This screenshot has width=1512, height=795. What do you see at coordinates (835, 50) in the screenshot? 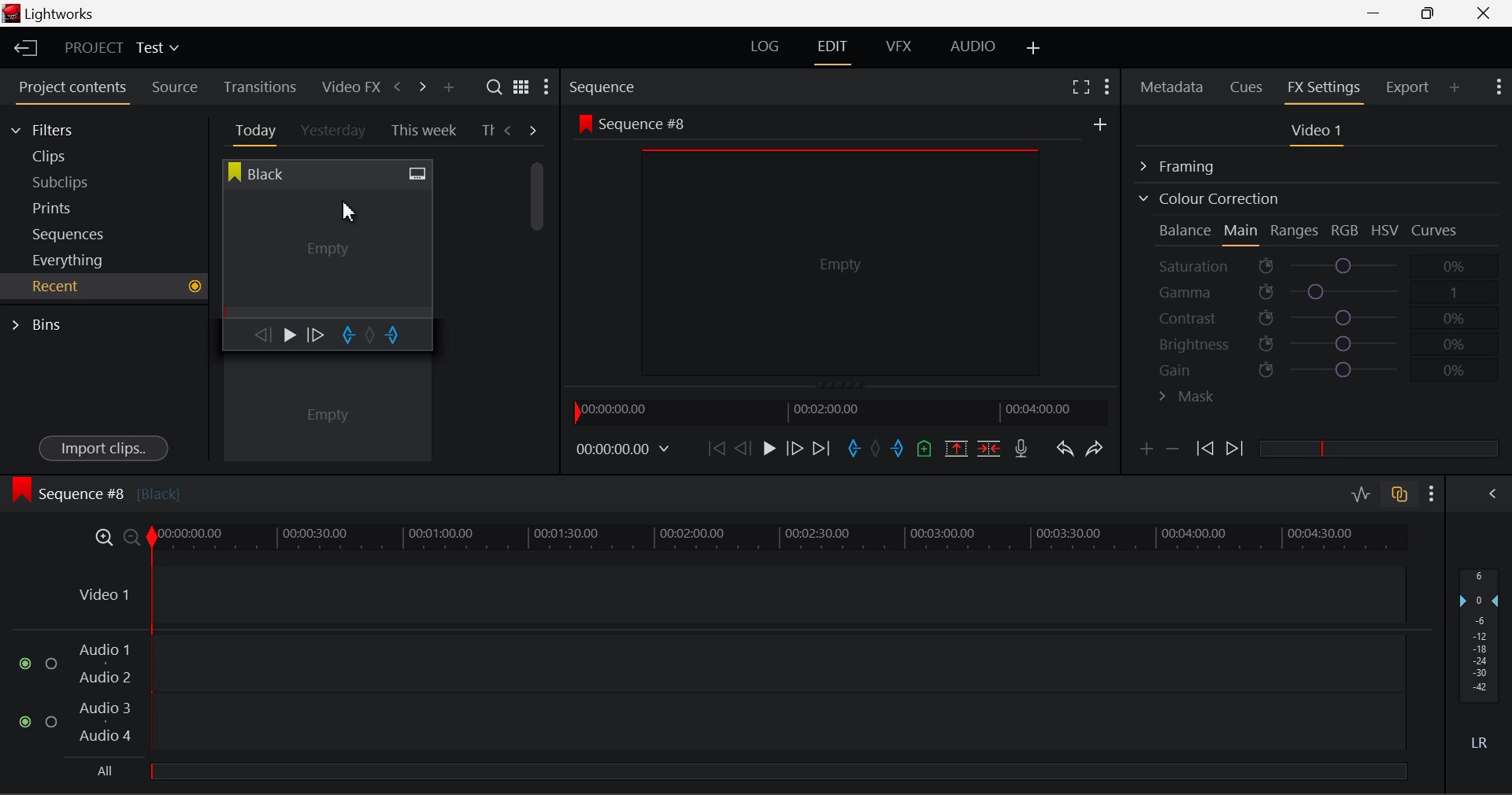
I see `EDIT Layout` at bounding box center [835, 50].